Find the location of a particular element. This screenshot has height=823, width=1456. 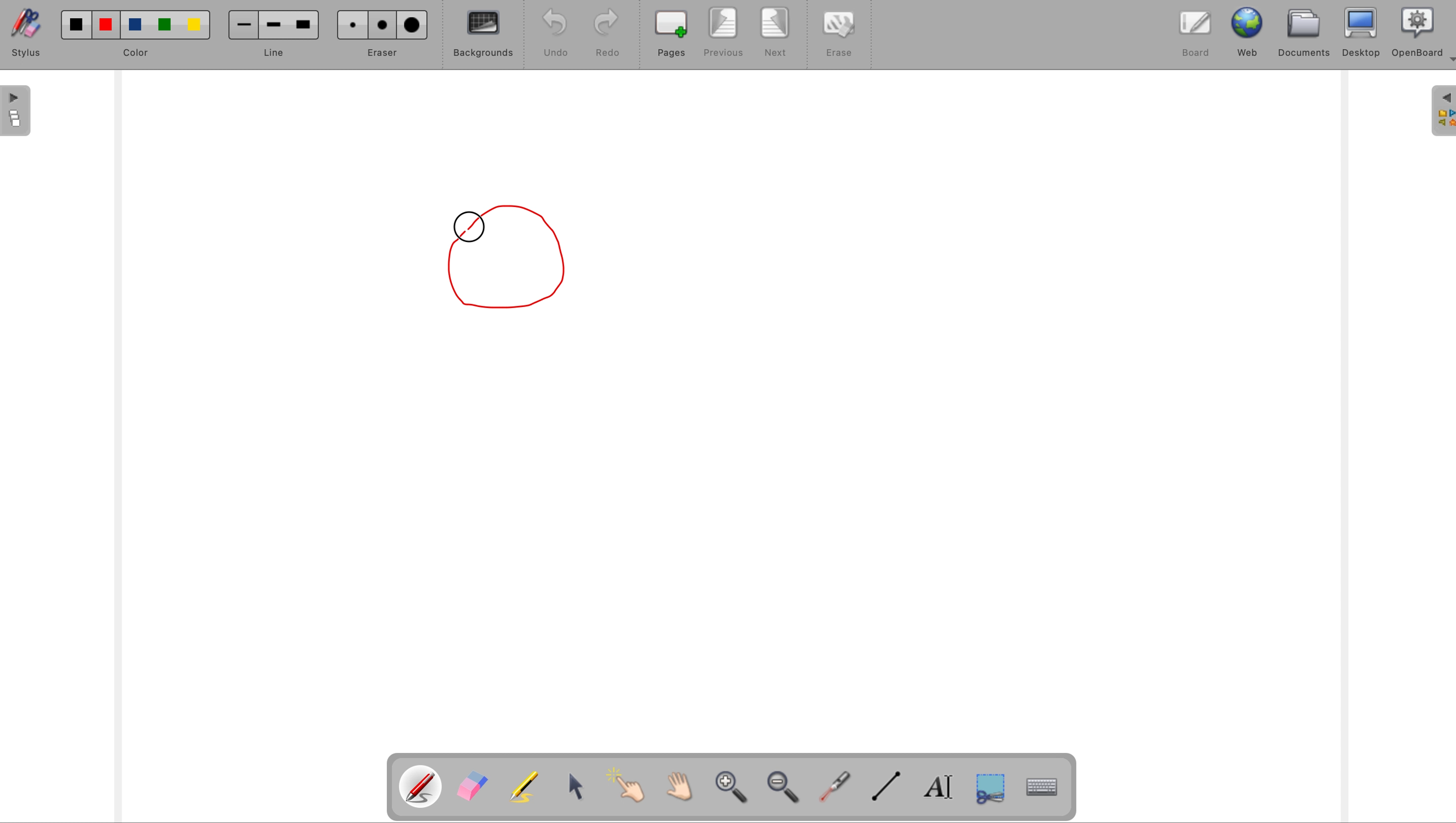

pen is located at coordinates (421, 787).